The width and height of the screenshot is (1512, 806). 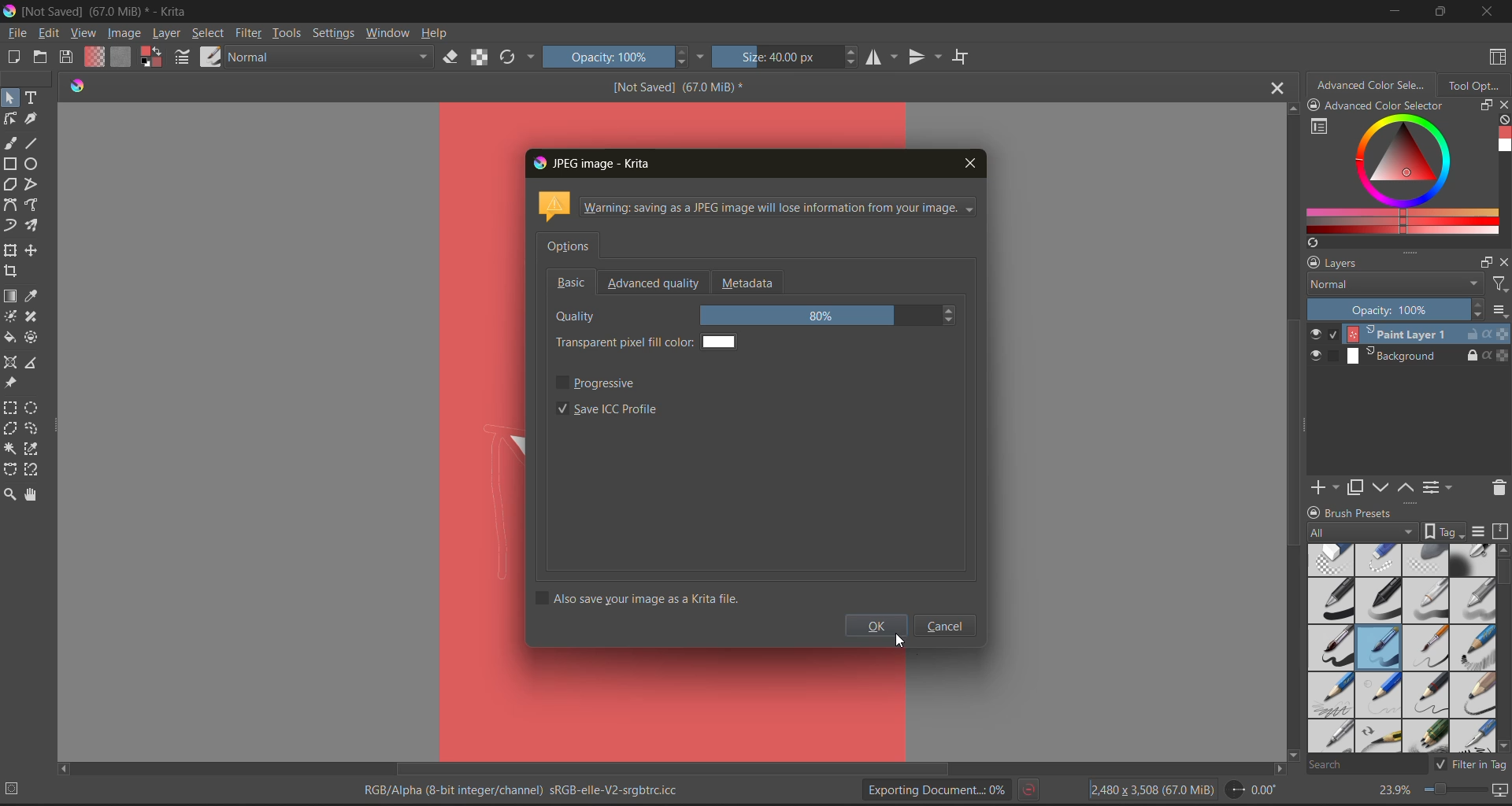 I want to click on advanced color selector, so click(x=1402, y=176).